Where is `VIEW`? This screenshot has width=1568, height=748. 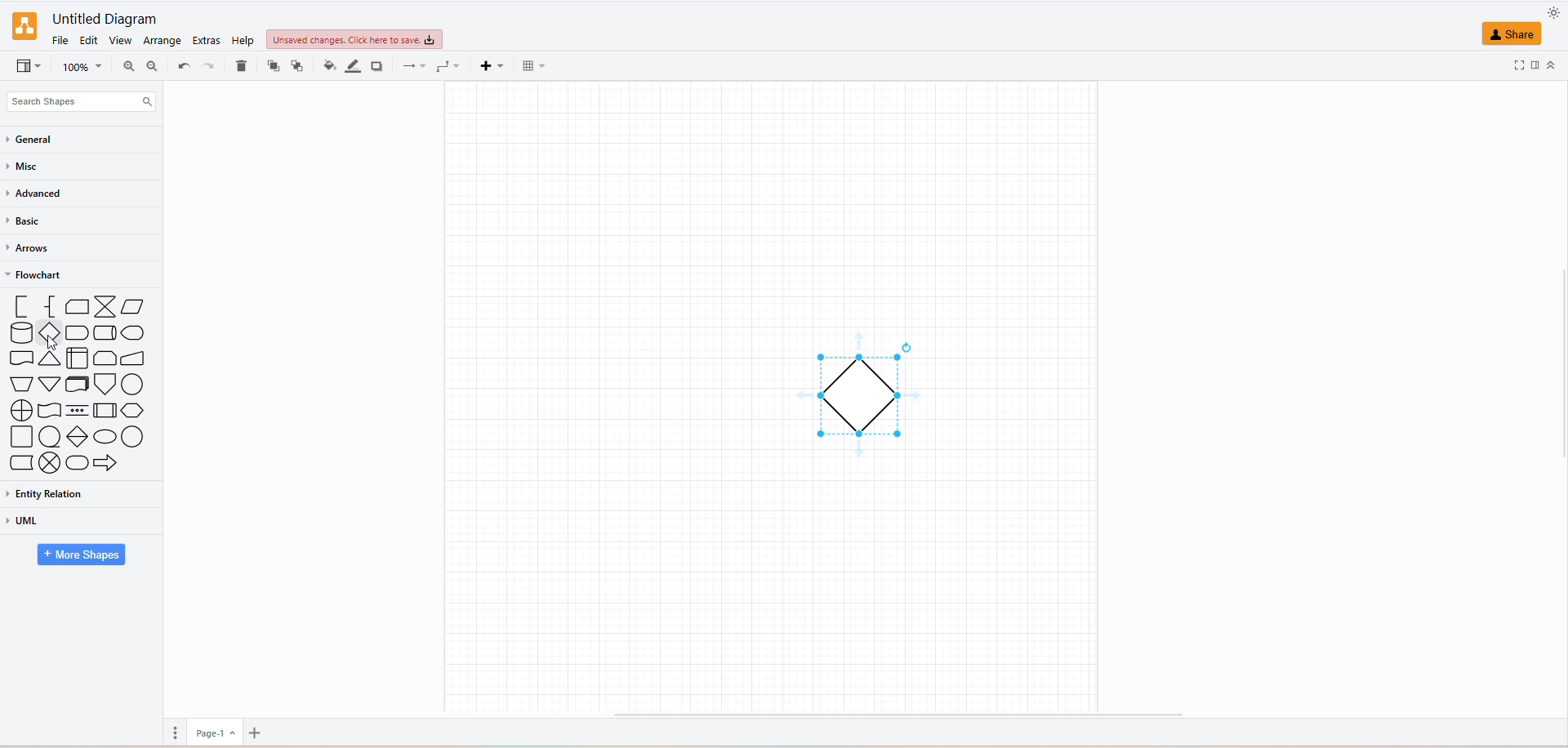 VIEW is located at coordinates (122, 41).